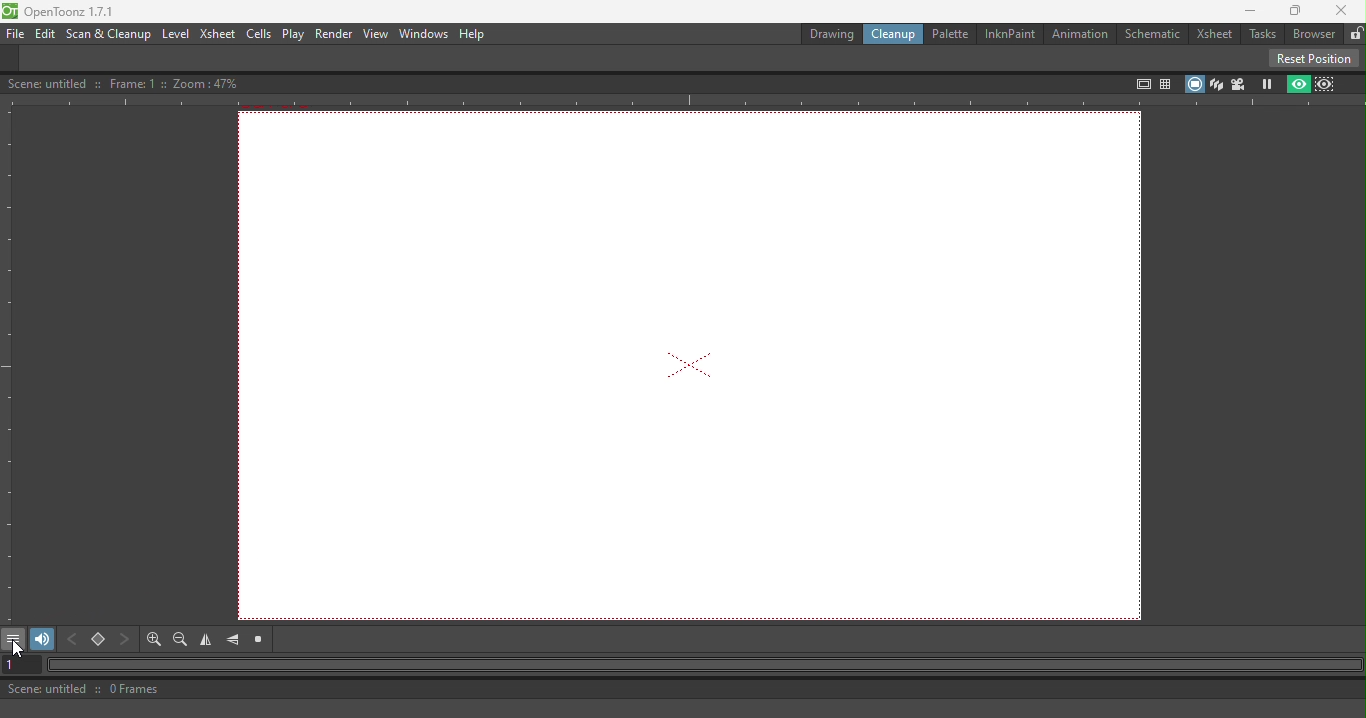  I want to click on Next key, so click(126, 640).